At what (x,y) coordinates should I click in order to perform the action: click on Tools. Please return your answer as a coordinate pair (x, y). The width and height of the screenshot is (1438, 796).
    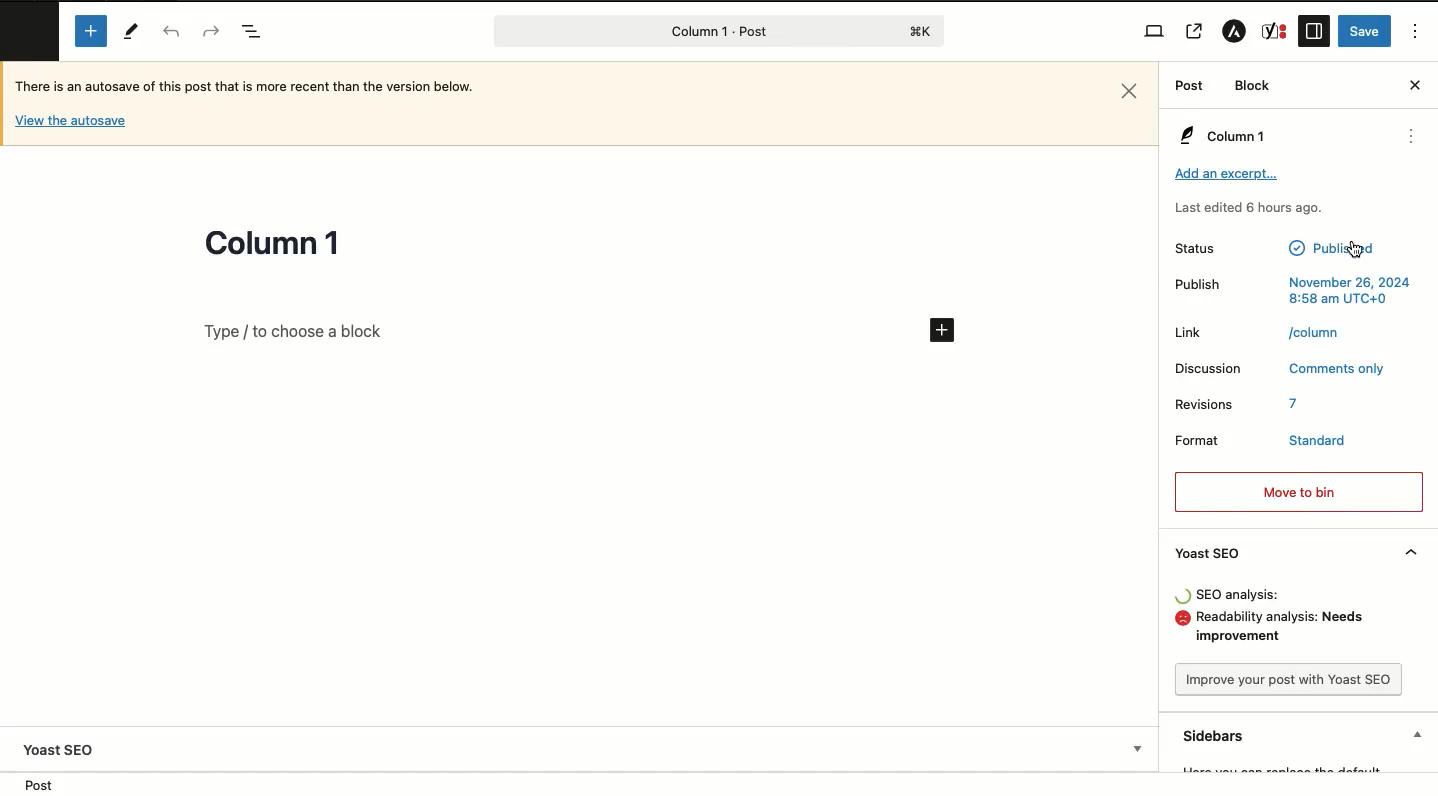
    Looking at the image, I should click on (134, 34).